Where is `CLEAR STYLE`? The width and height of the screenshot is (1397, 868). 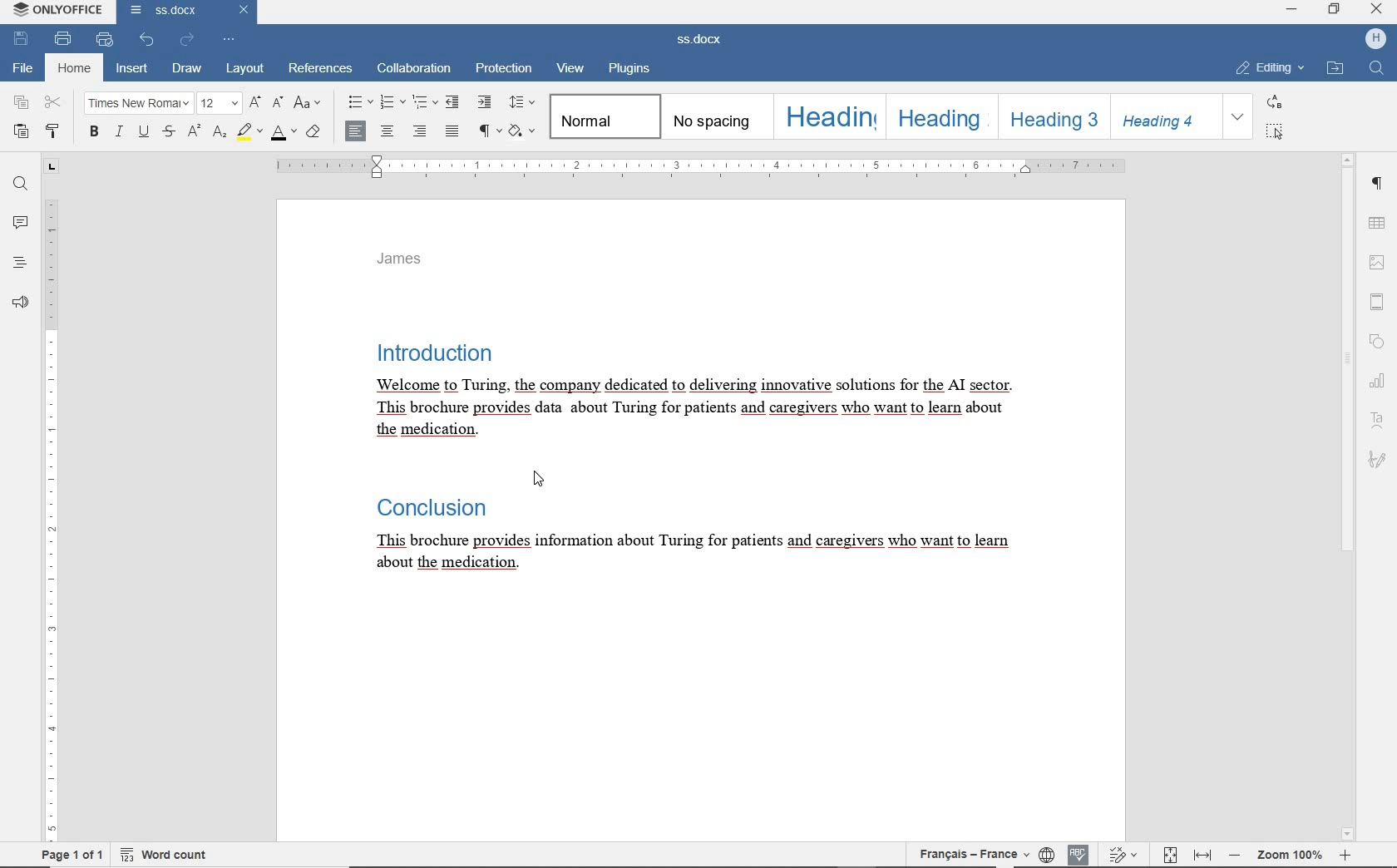 CLEAR STYLE is located at coordinates (314, 133).